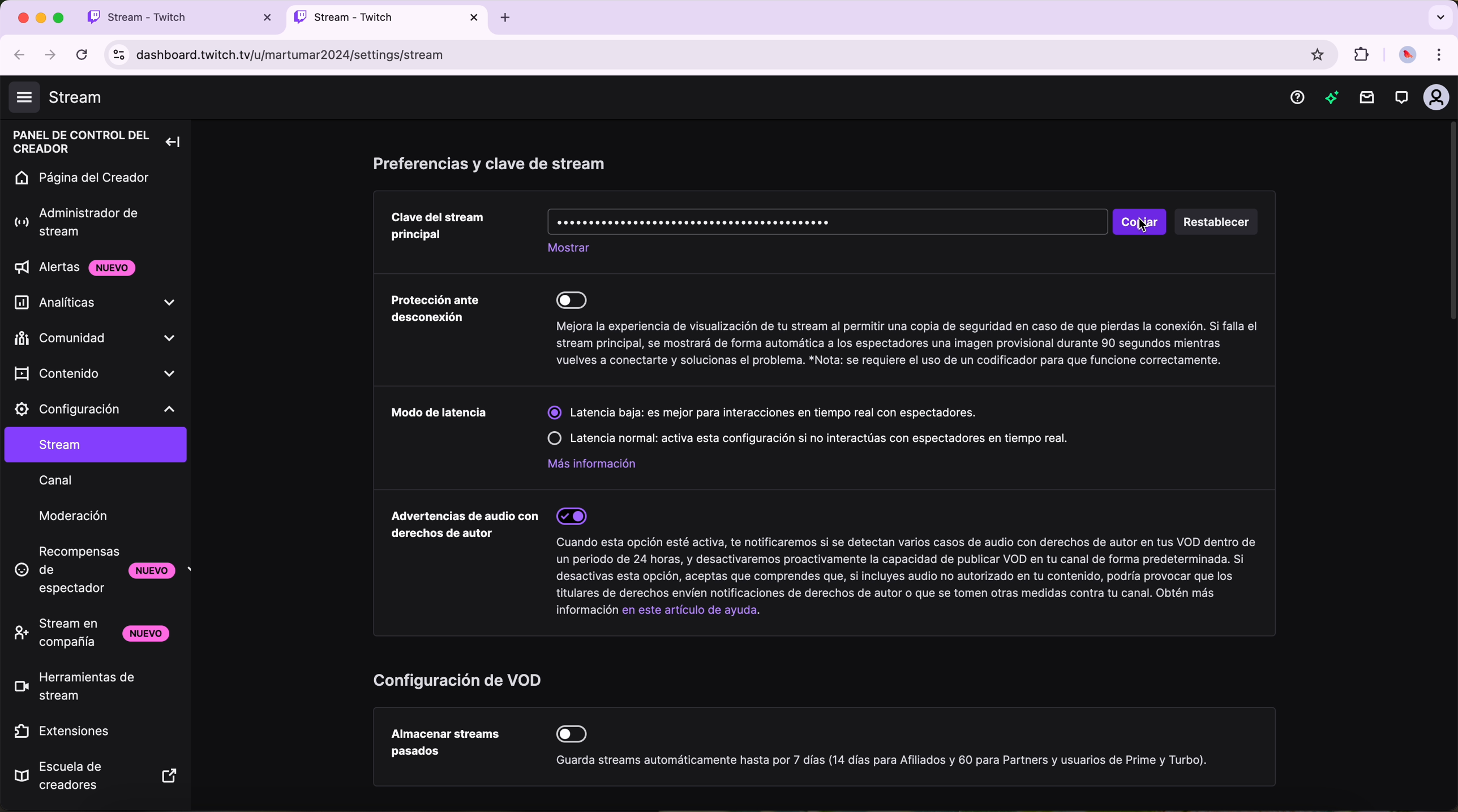 This screenshot has width=1458, height=812. What do you see at coordinates (1439, 54) in the screenshot?
I see `customize and control Google Chrome` at bounding box center [1439, 54].